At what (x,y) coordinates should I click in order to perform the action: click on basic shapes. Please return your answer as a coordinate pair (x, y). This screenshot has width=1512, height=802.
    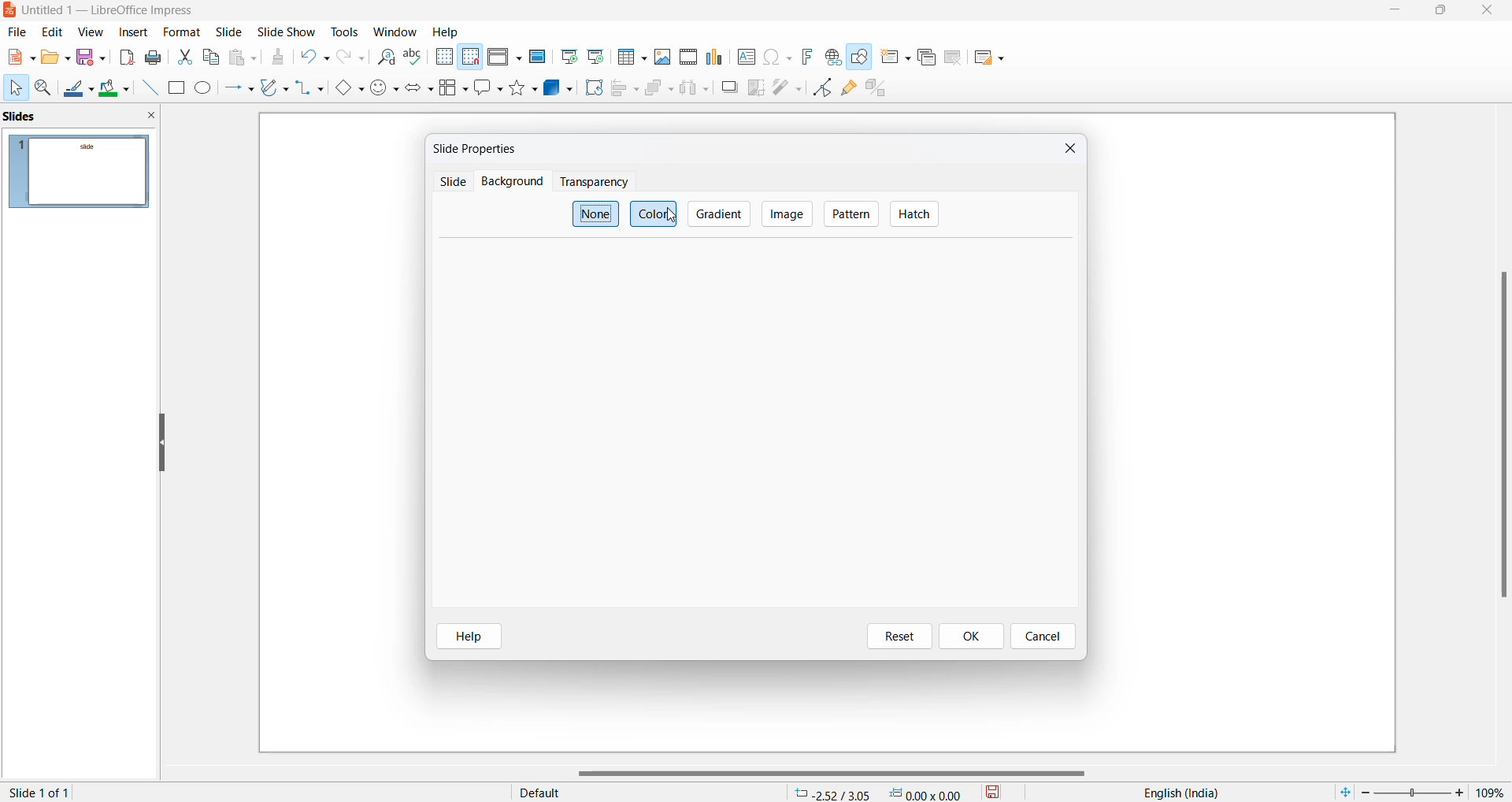
    Looking at the image, I should click on (348, 89).